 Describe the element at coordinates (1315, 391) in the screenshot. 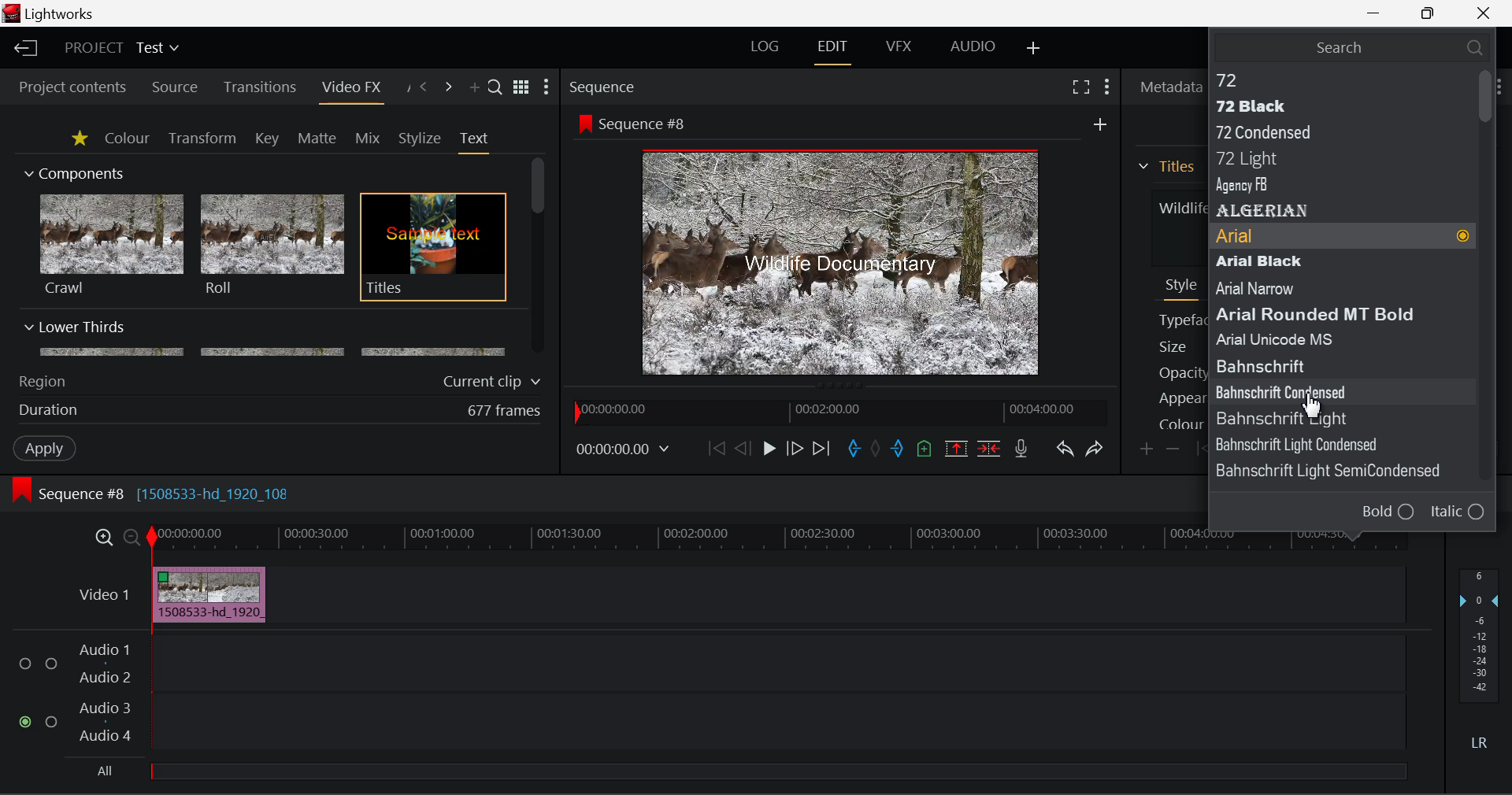

I see `Bahnschrift Condensed` at that location.